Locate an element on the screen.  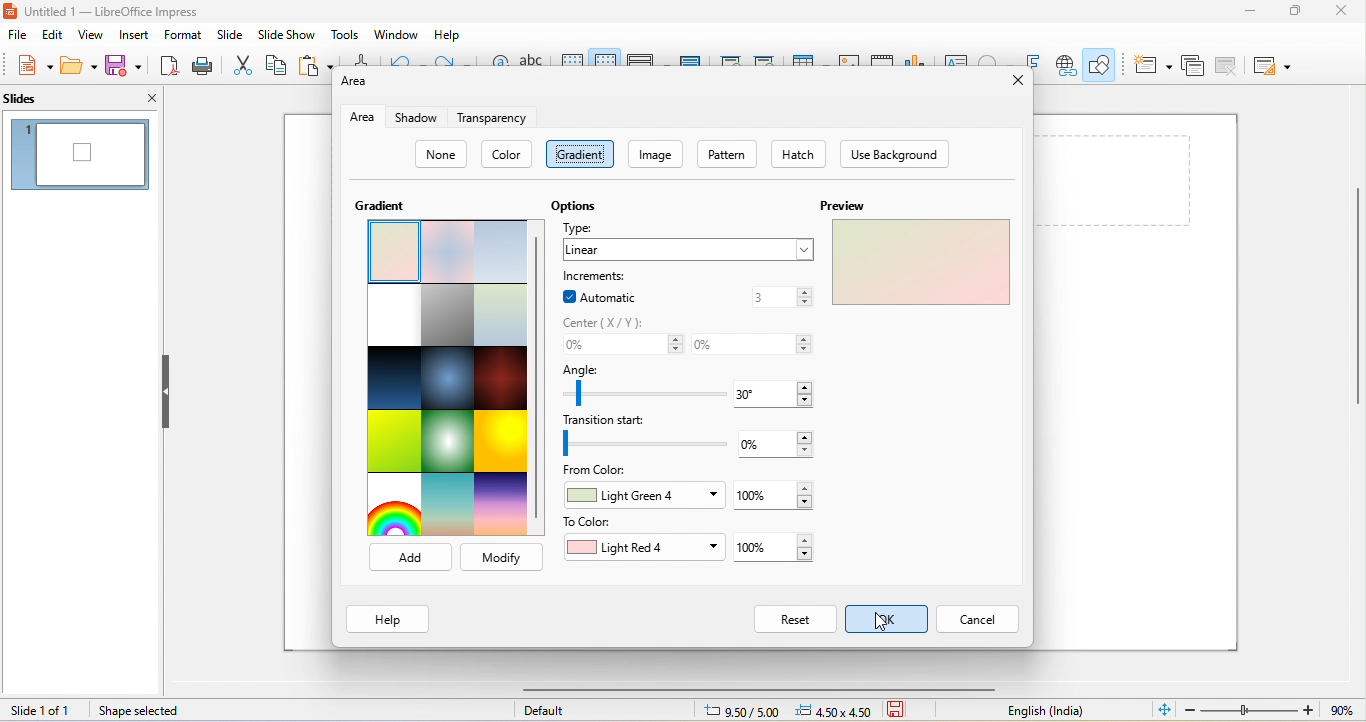
gradient is located at coordinates (388, 204).